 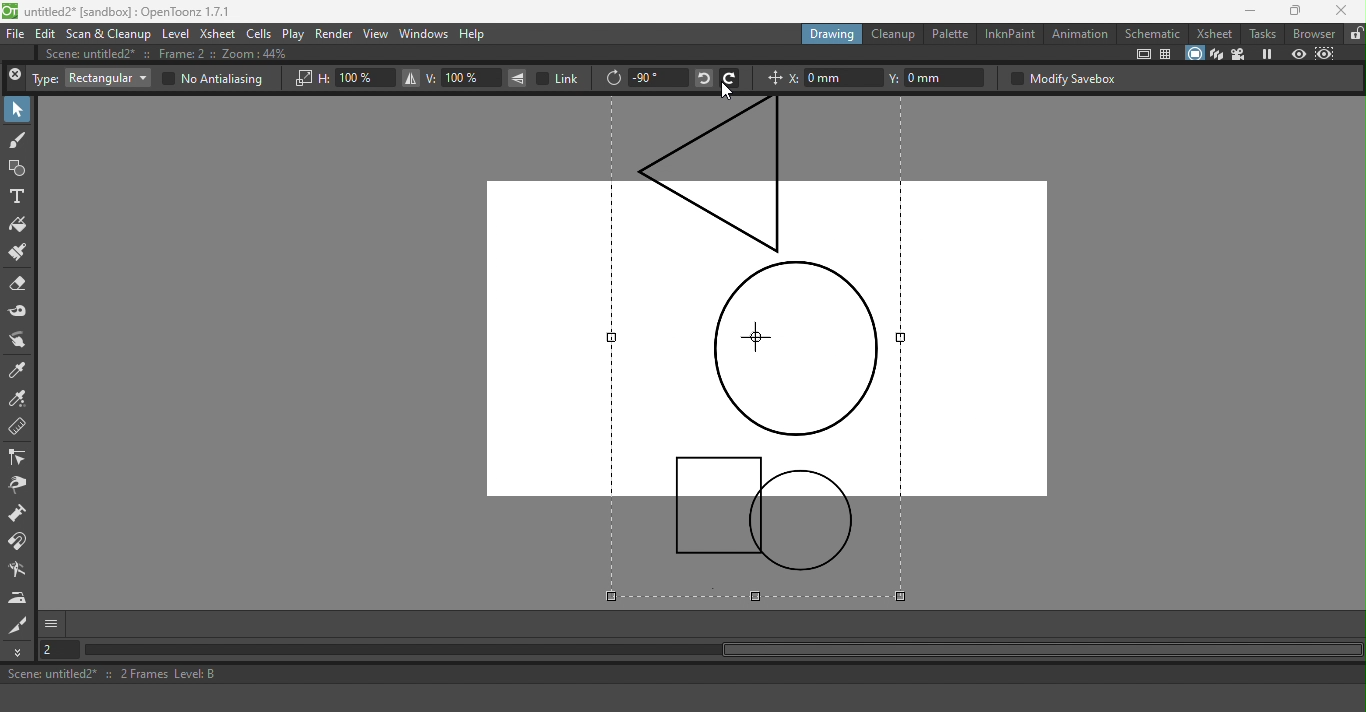 What do you see at coordinates (46, 35) in the screenshot?
I see `Edit` at bounding box center [46, 35].